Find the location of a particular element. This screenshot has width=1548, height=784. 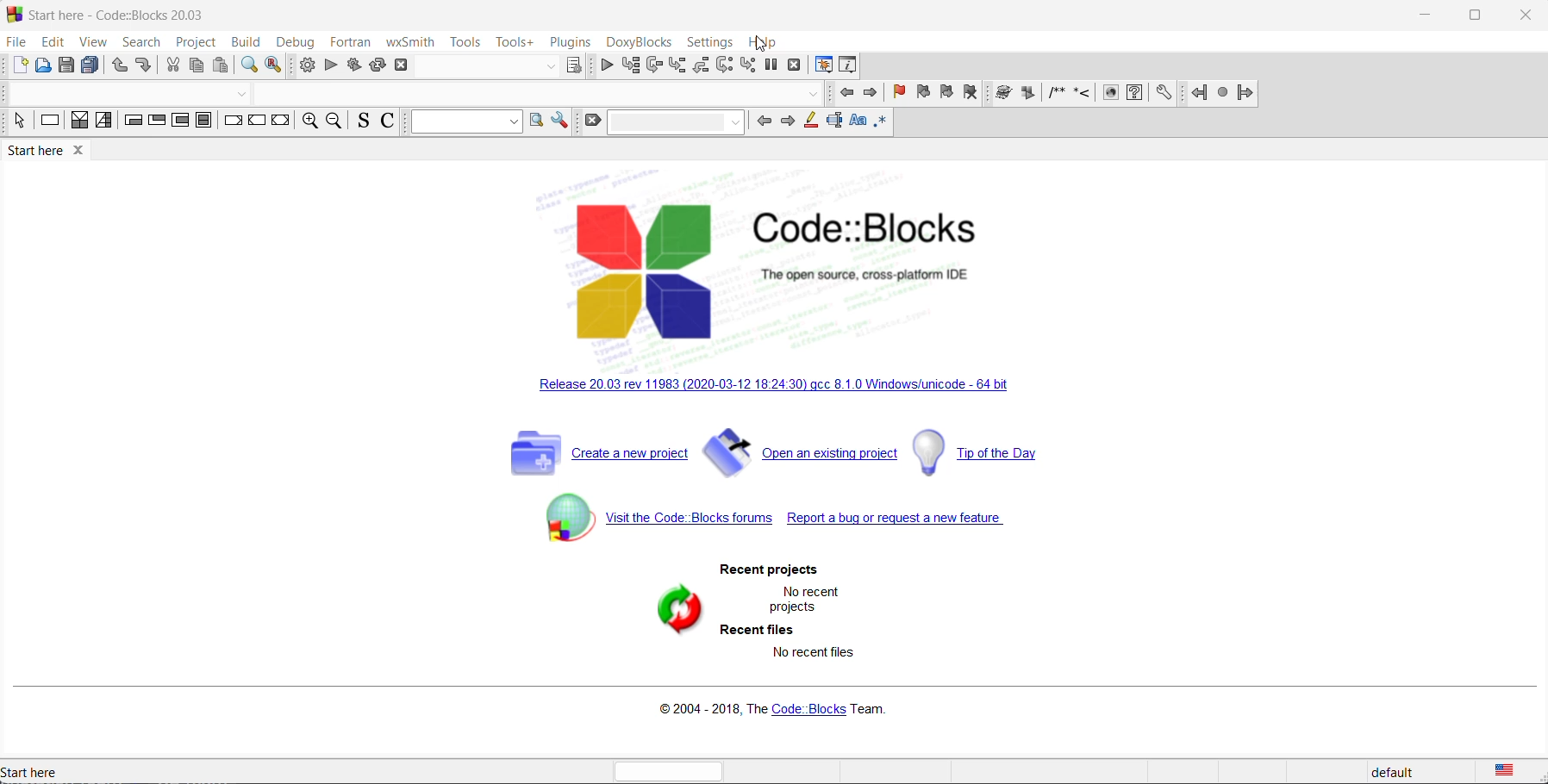

jump back is located at coordinates (1197, 95).